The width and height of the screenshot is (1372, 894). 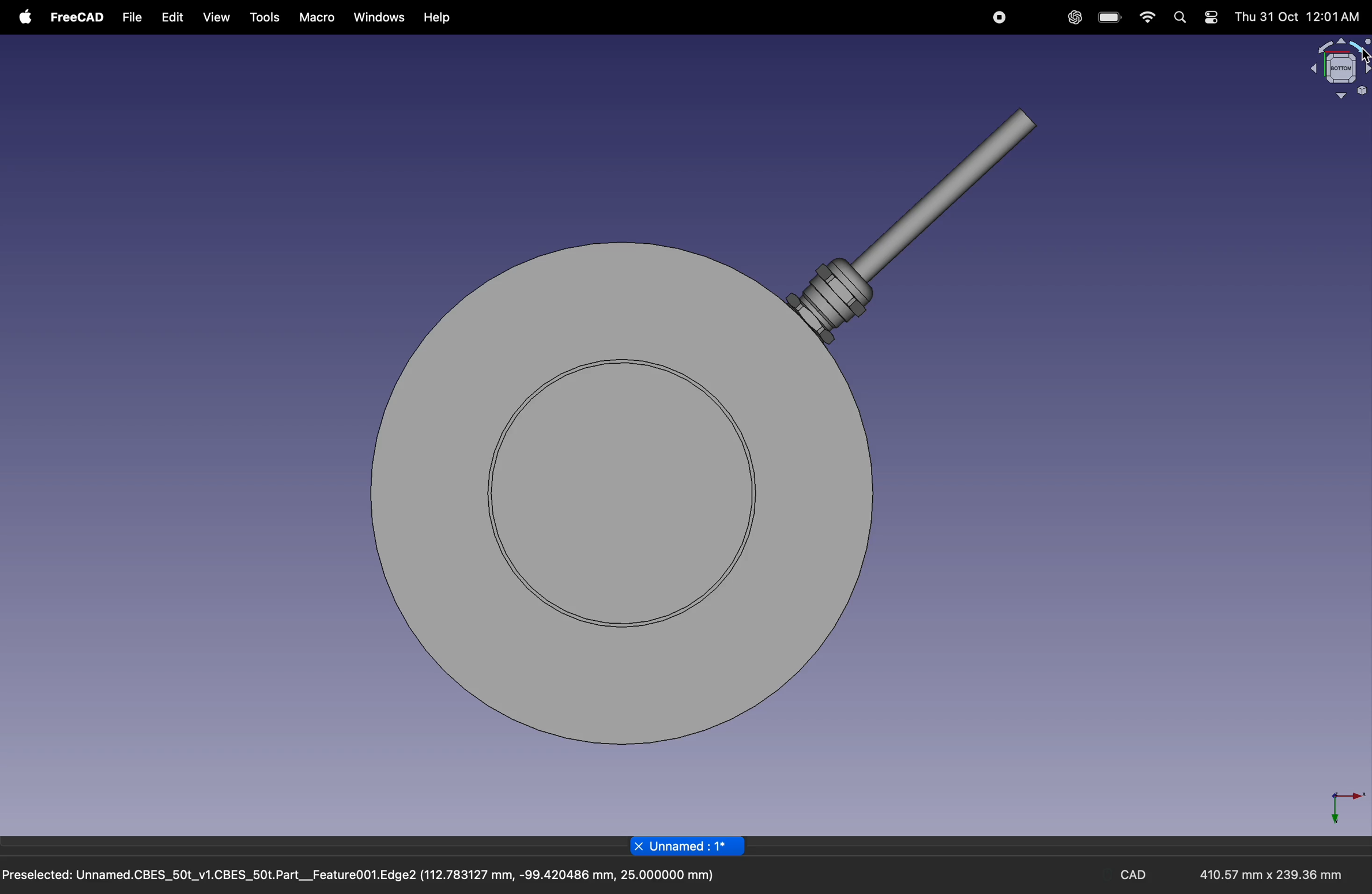 What do you see at coordinates (172, 17) in the screenshot?
I see `edit` at bounding box center [172, 17].